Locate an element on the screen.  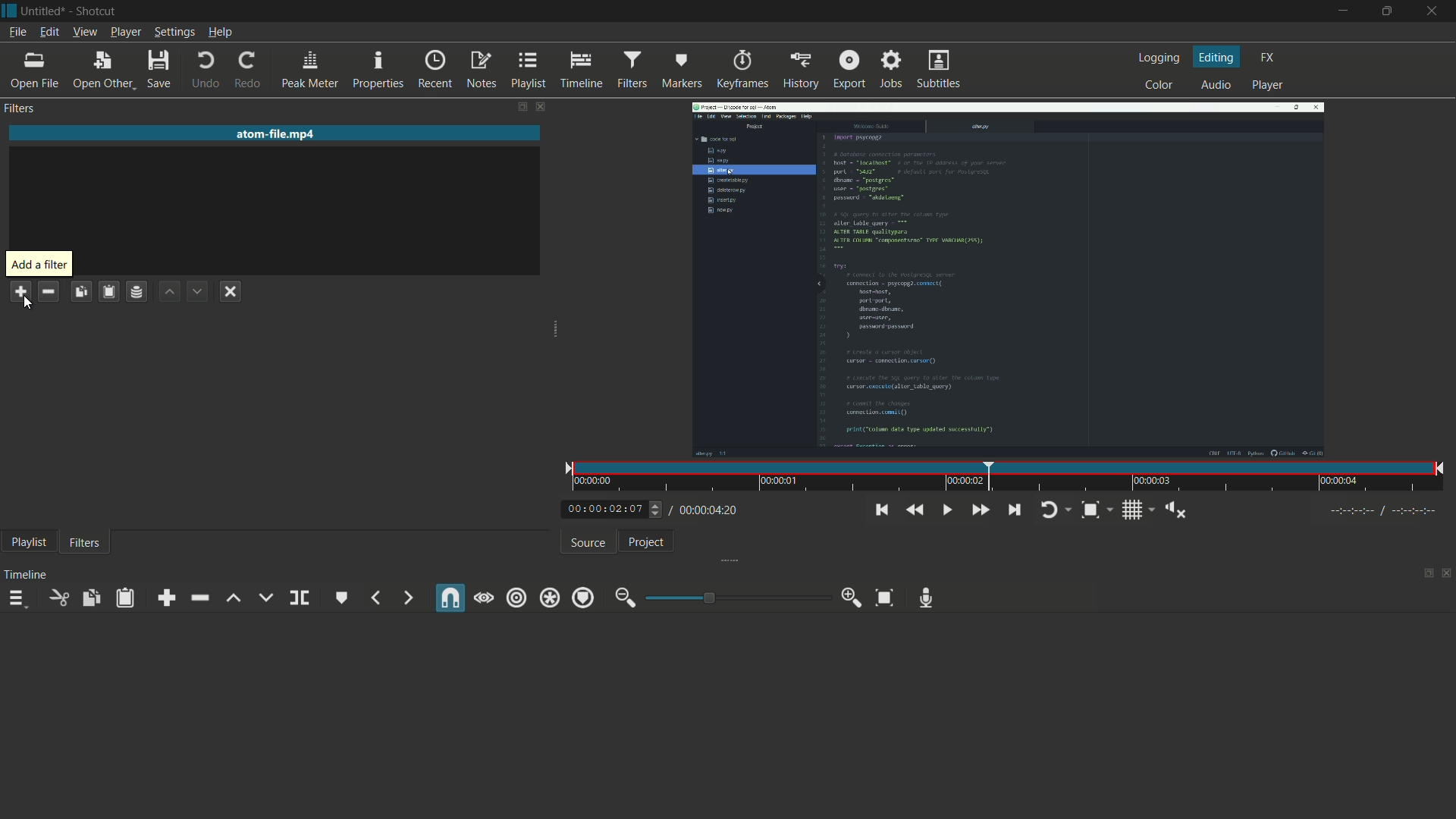
jobs is located at coordinates (893, 69).